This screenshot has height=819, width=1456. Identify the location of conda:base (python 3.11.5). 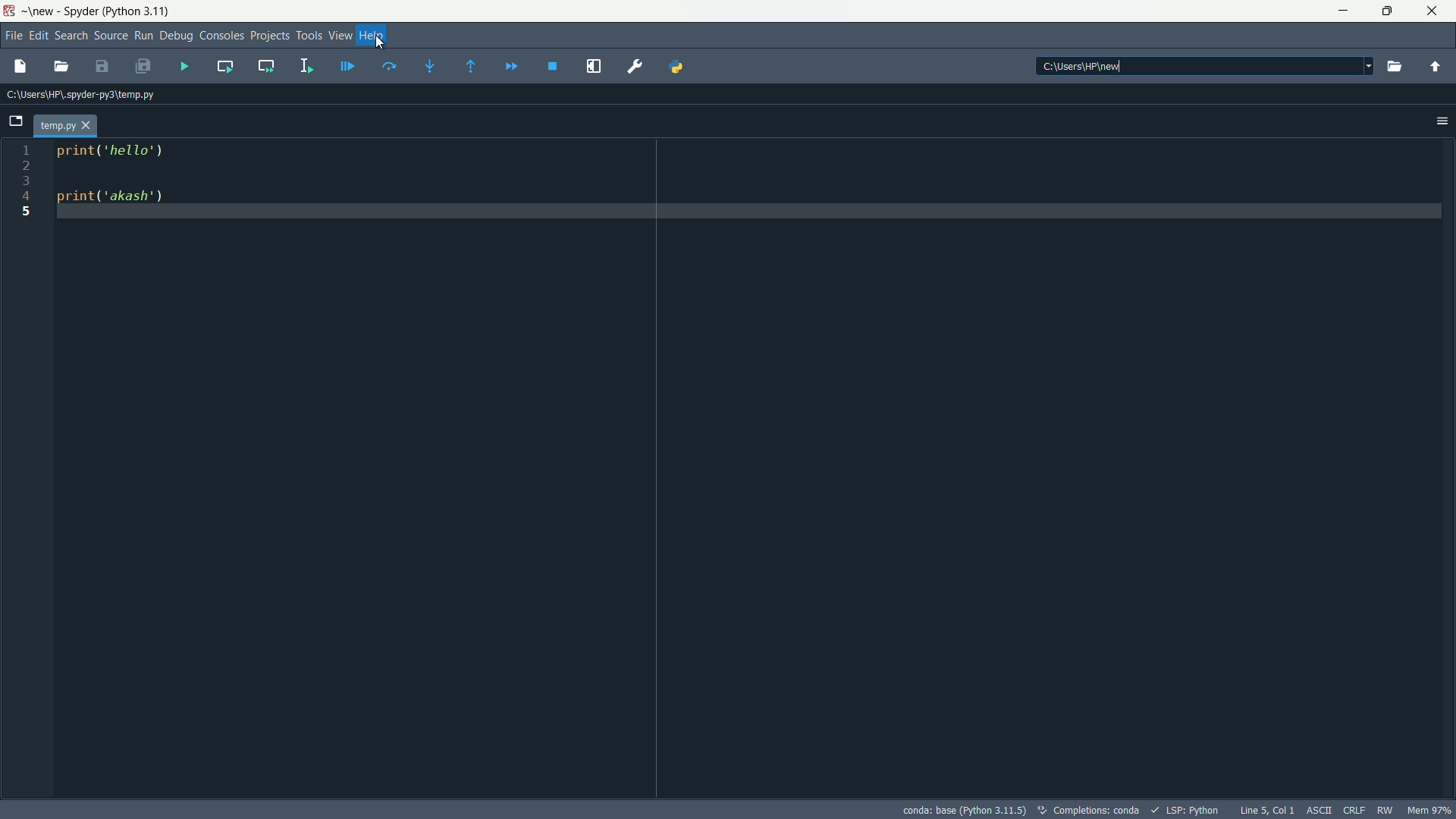
(965, 810).